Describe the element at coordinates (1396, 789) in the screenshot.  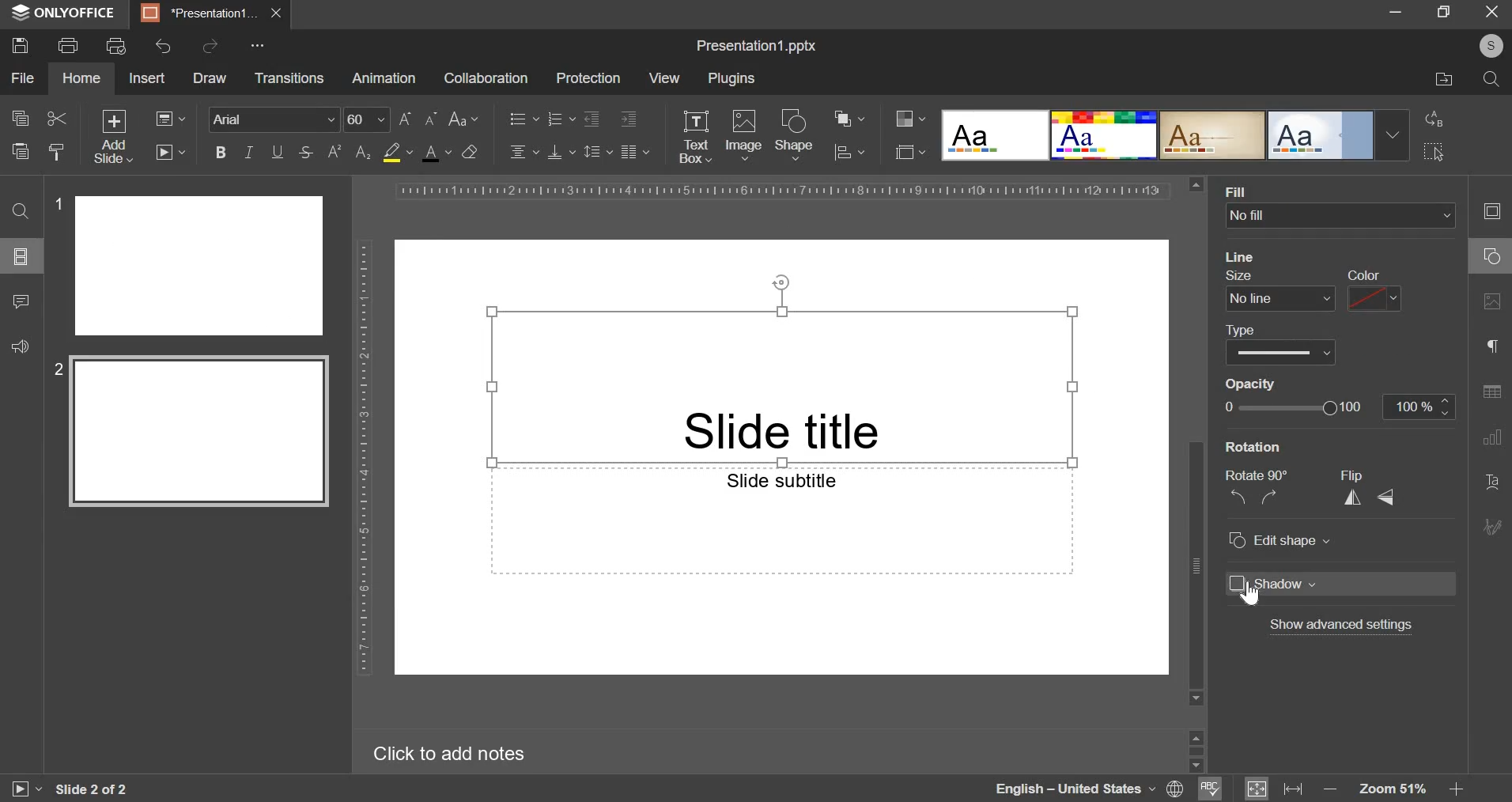
I see `zoom level` at that location.